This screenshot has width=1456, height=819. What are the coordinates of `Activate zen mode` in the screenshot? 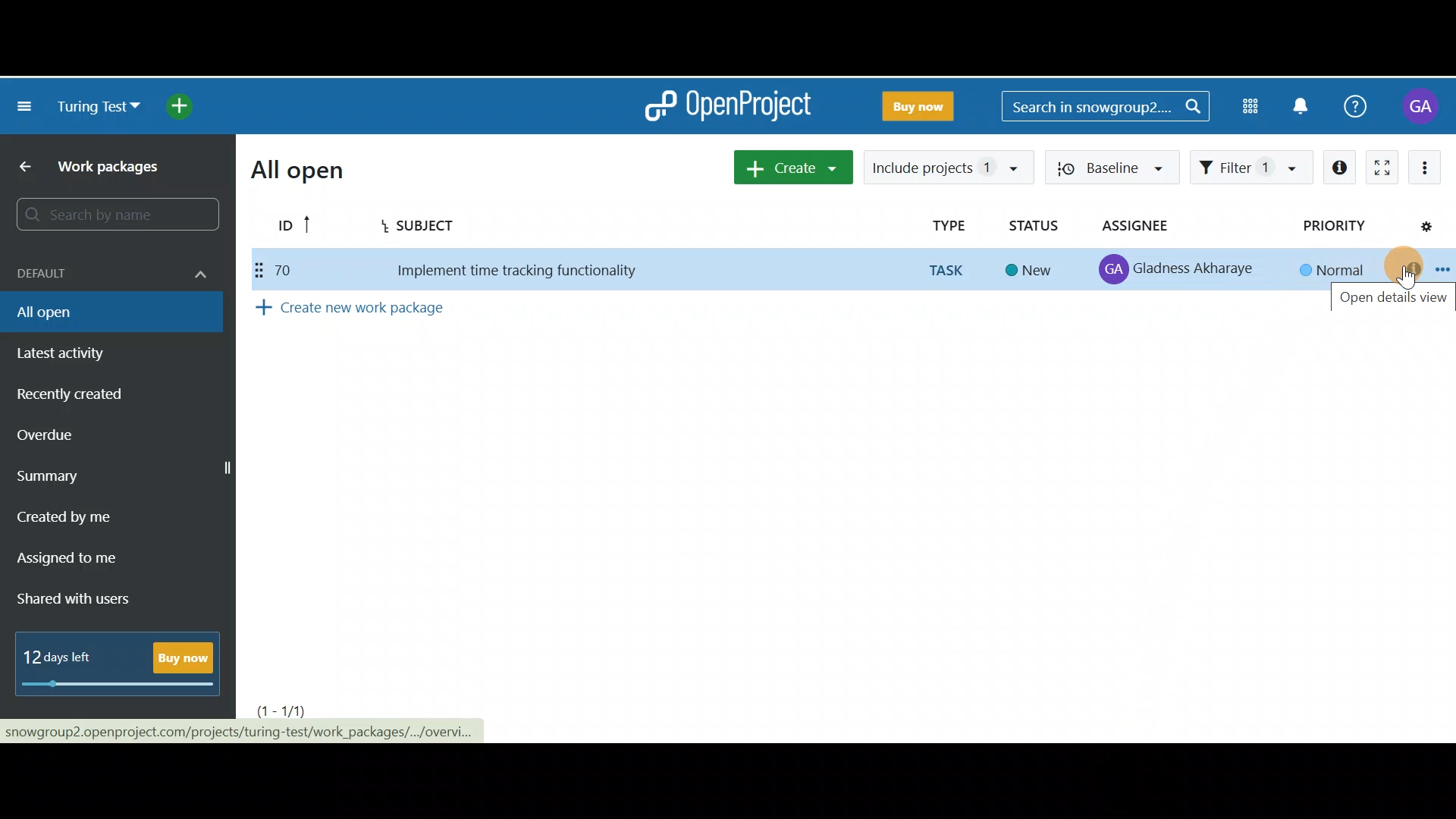 It's located at (1389, 165).